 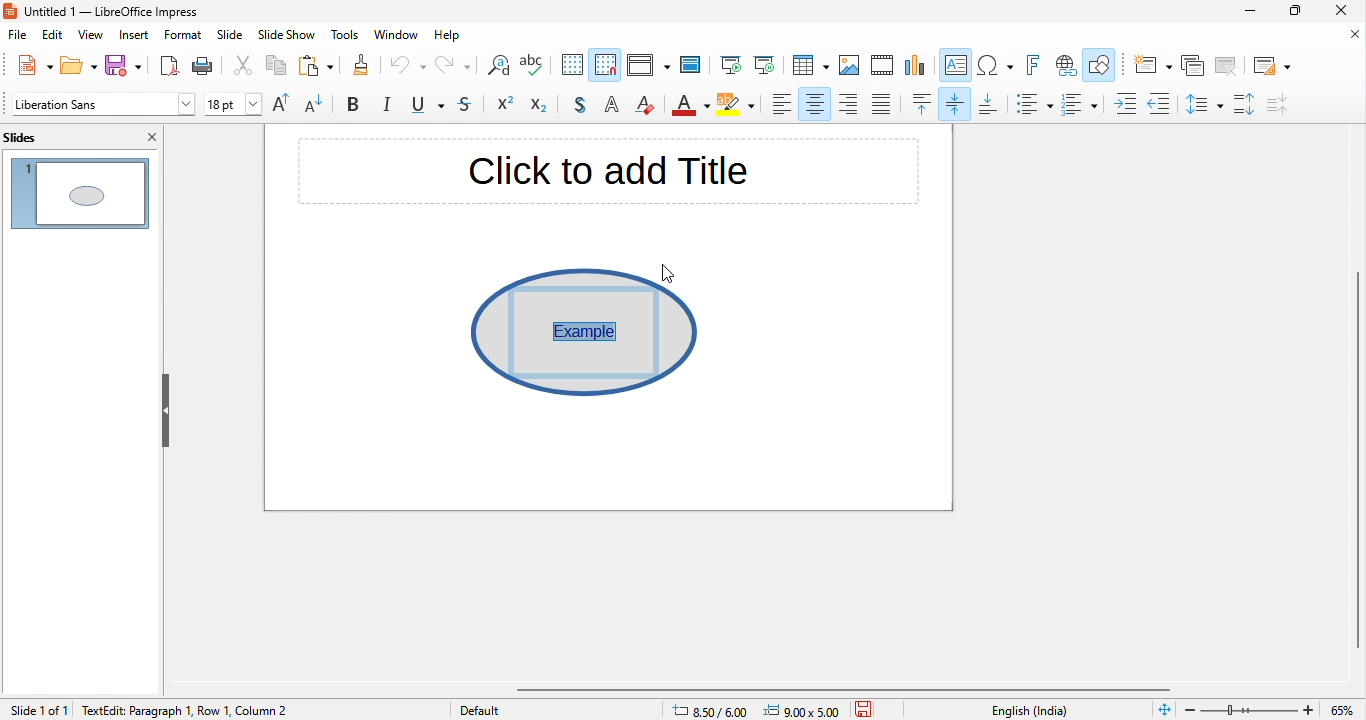 What do you see at coordinates (738, 107) in the screenshot?
I see `character highlight color` at bounding box center [738, 107].